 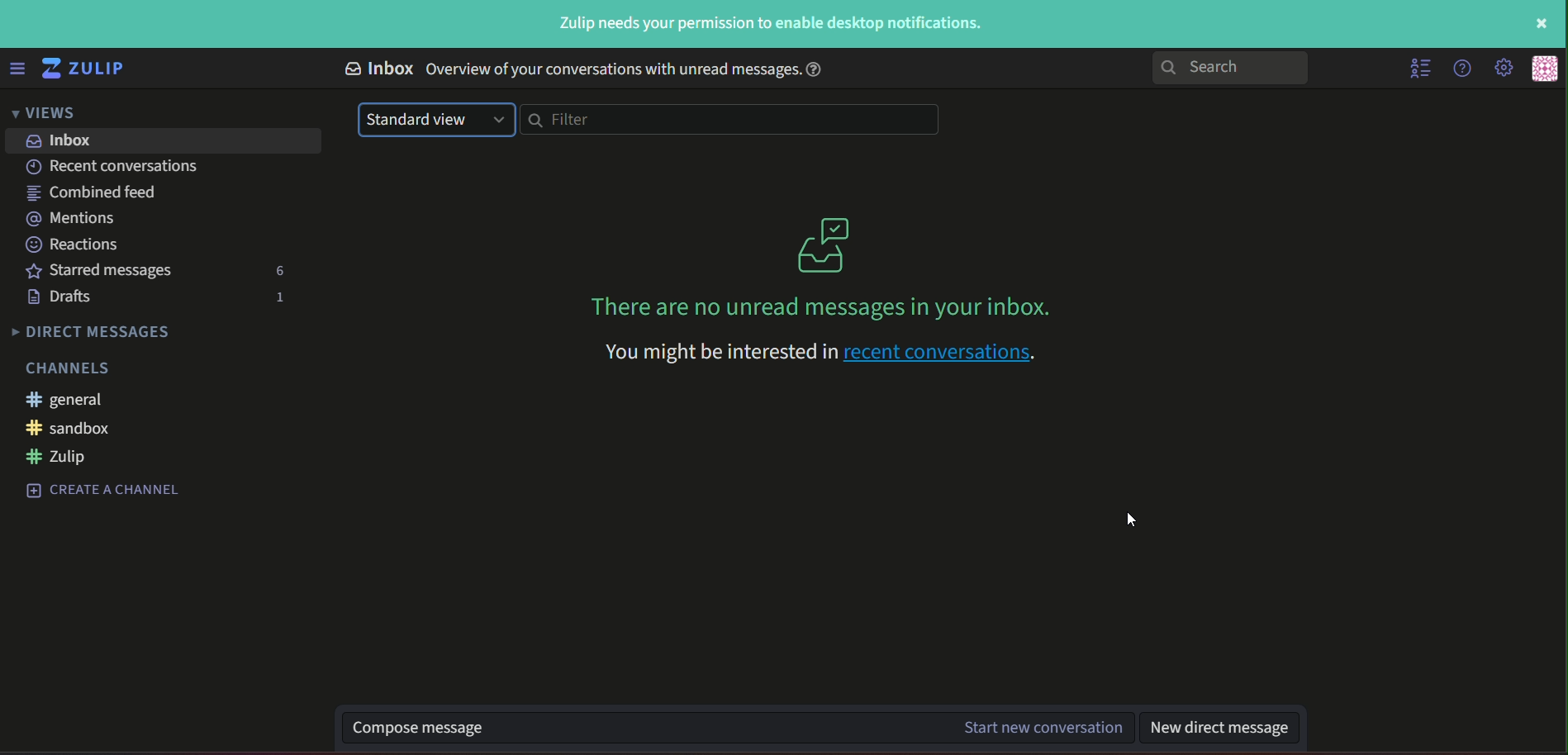 I want to click on number, so click(x=280, y=269).